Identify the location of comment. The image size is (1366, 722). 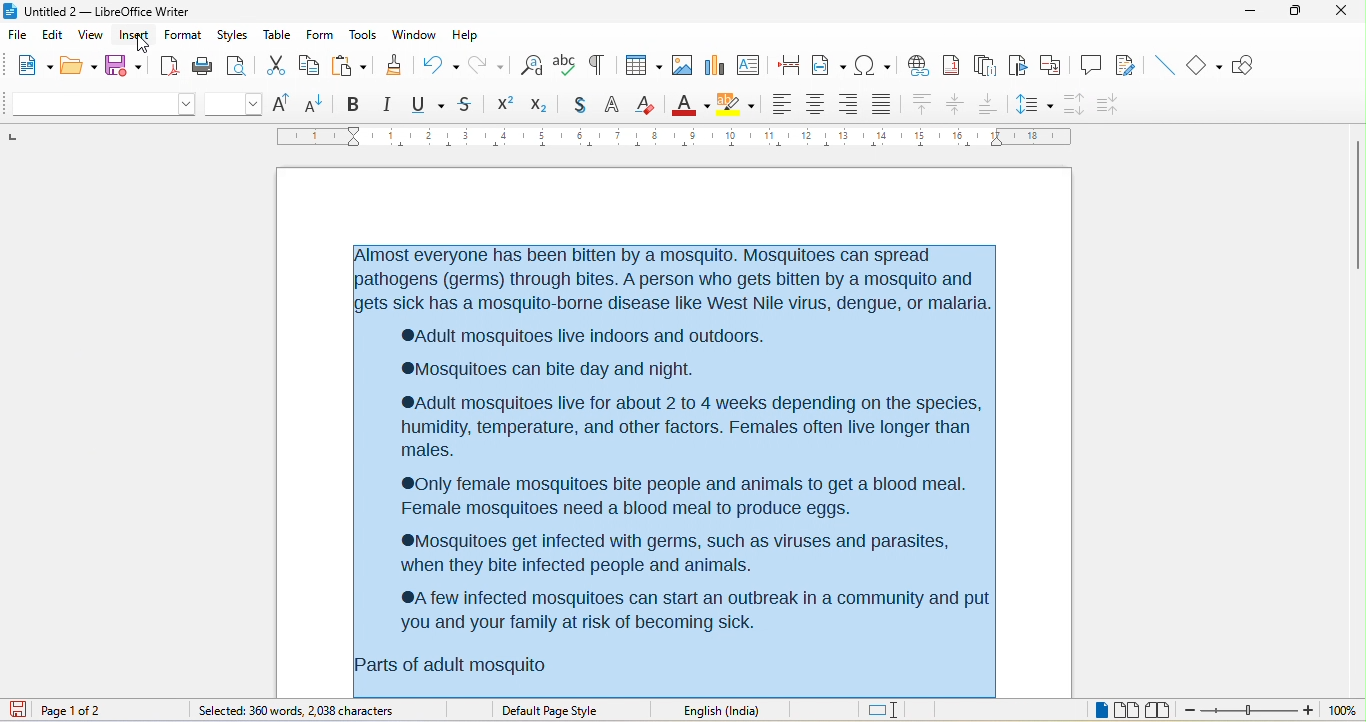
(1090, 64).